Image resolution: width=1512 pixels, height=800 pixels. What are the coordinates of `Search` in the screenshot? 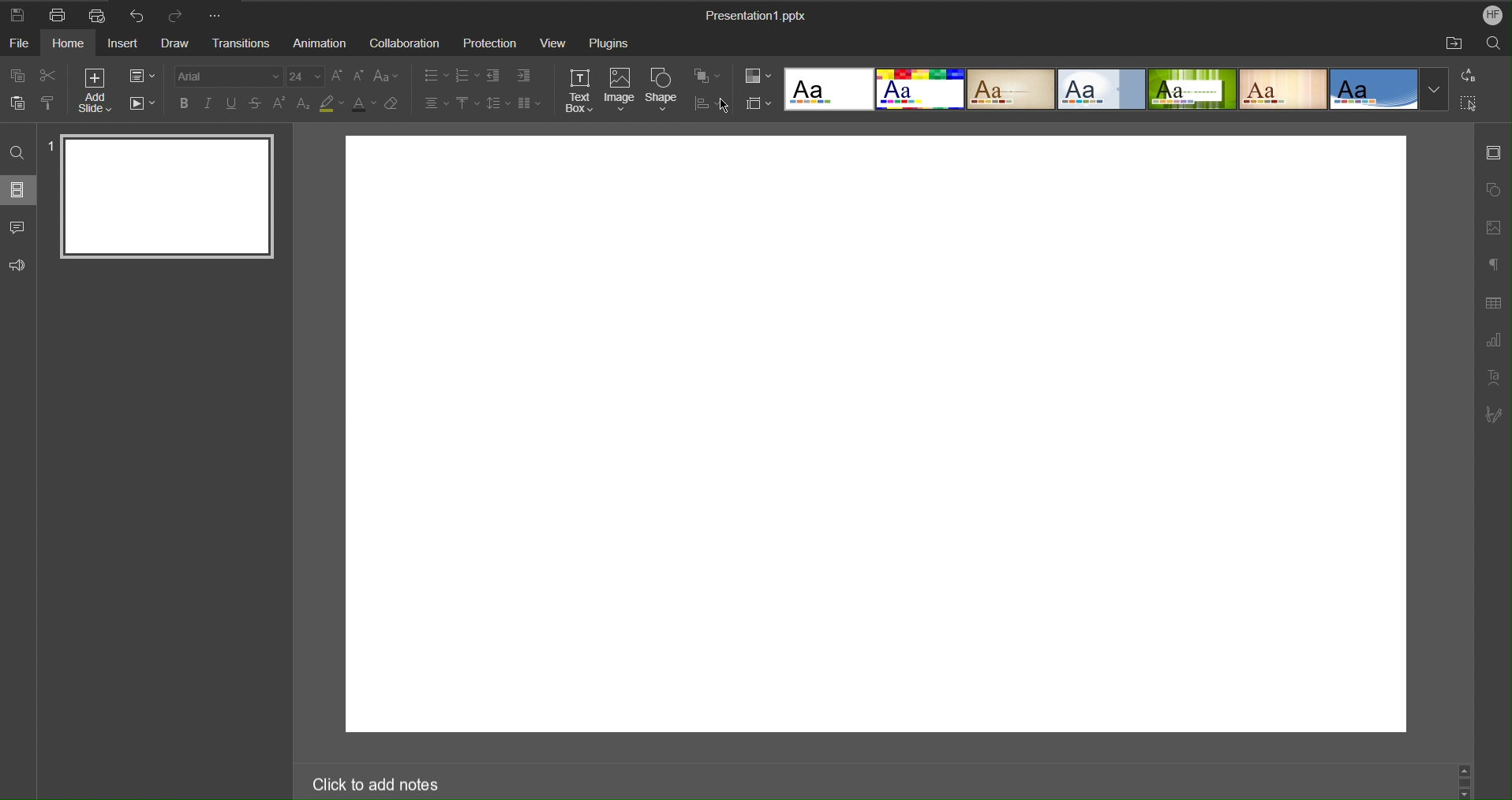 It's located at (1495, 44).